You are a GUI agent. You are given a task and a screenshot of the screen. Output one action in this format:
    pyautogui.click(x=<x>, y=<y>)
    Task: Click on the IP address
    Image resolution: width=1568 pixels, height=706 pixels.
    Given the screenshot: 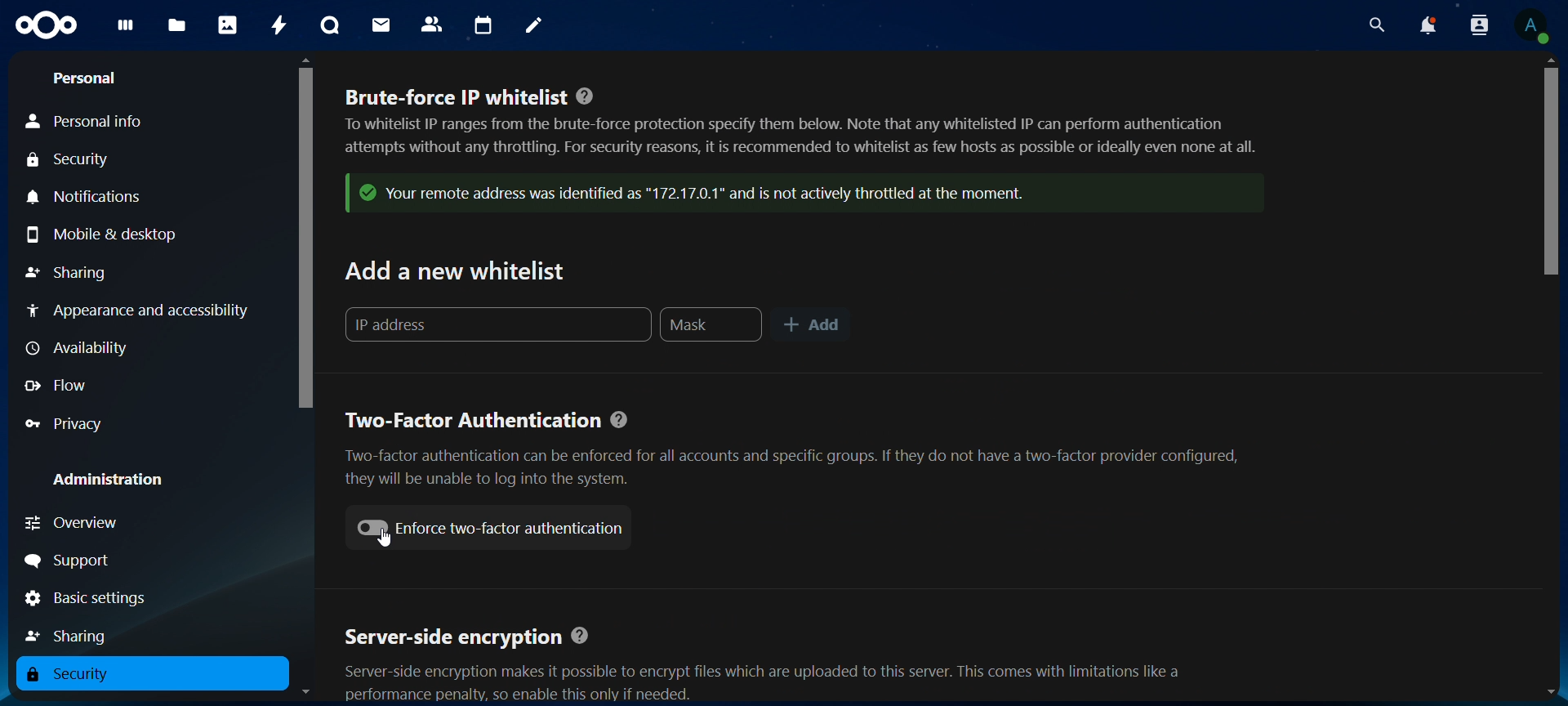 What is the action you would take?
    pyautogui.click(x=494, y=326)
    